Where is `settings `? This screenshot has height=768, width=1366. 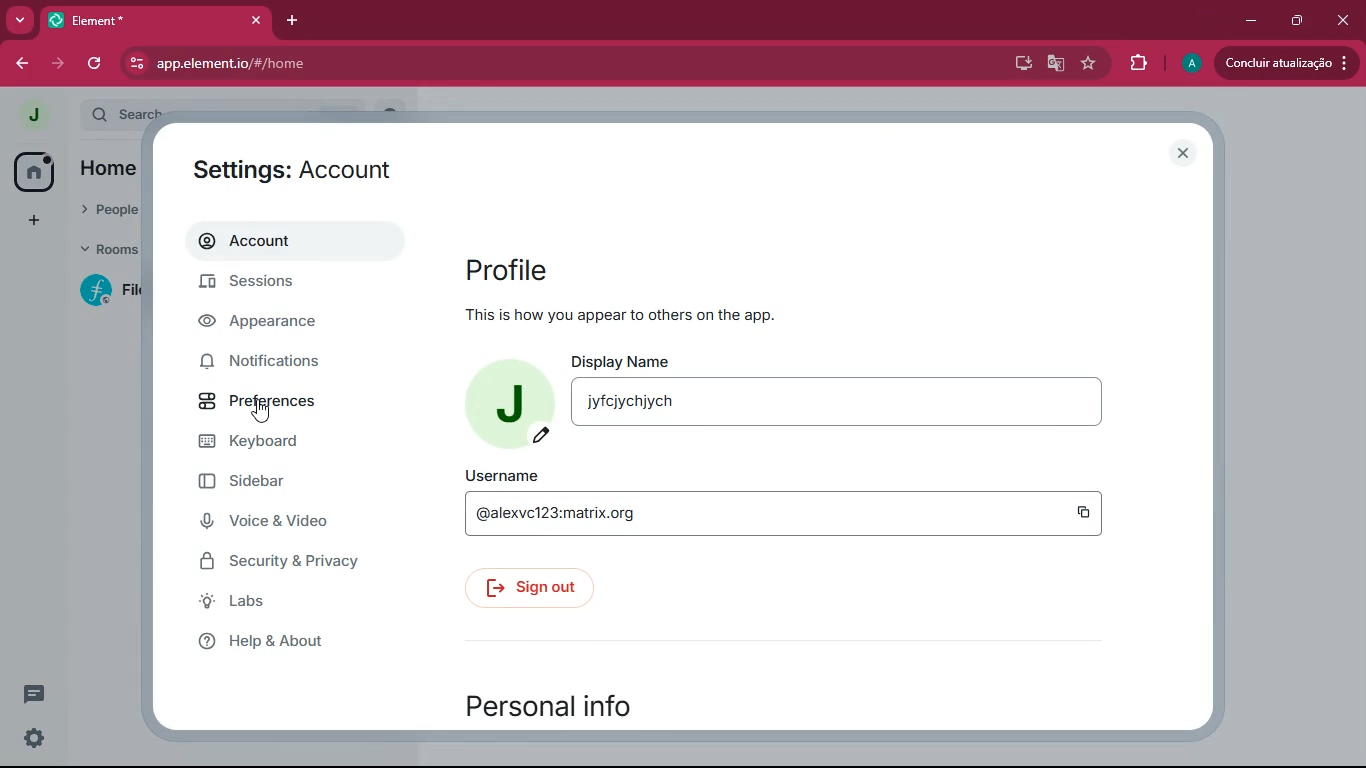 settings  is located at coordinates (34, 741).